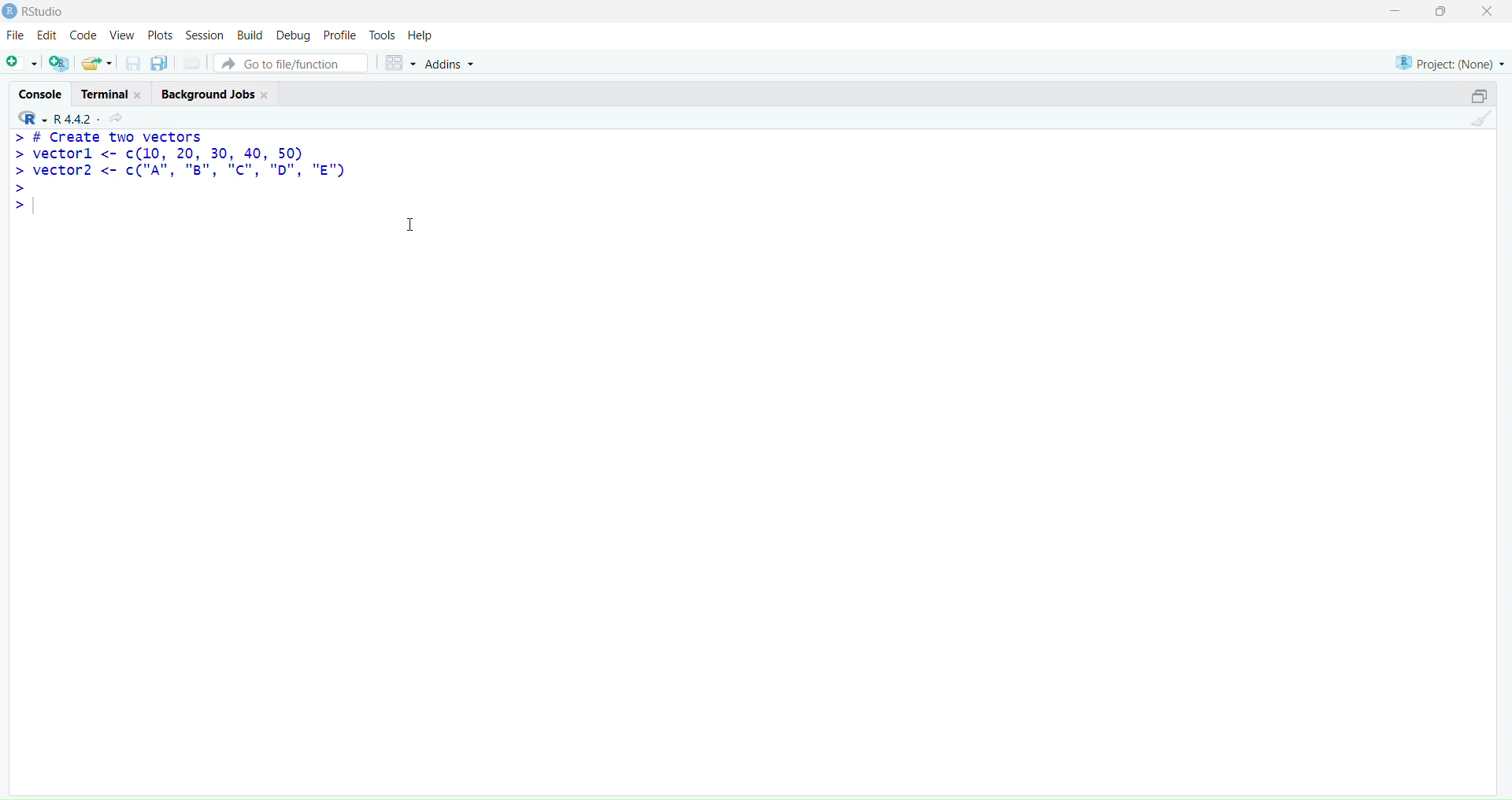  What do you see at coordinates (180, 174) in the screenshot?
I see `# Create two vectorsvectorl <- c(10, 20, 30, 40, 50)vector2 <- c("A", "B", “C", "D", "E")` at bounding box center [180, 174].